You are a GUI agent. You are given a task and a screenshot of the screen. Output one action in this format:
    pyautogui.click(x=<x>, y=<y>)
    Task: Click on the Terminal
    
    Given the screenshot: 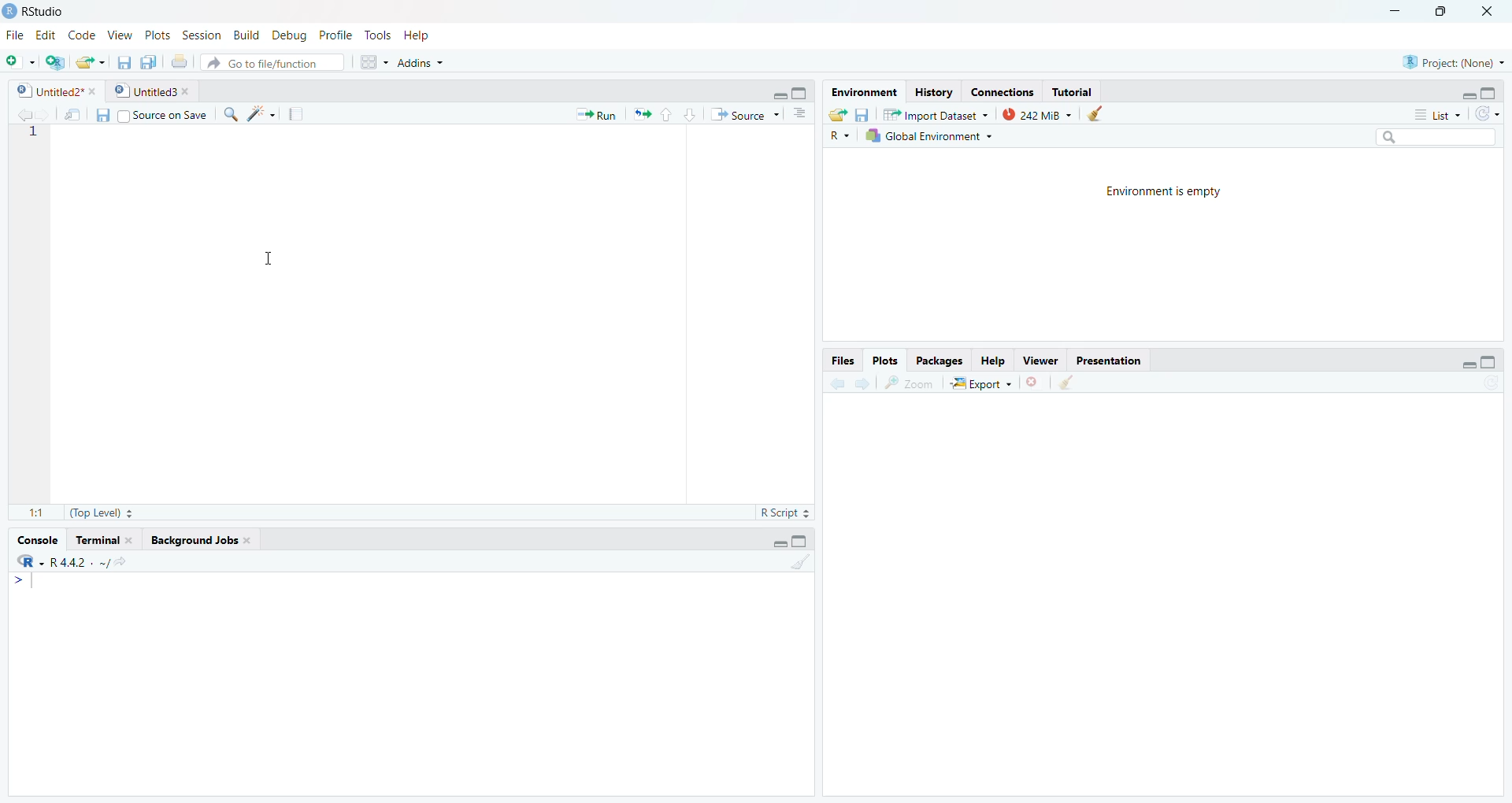 What is the action you would take?
    pyautogui.click(x=104, y=541)
    